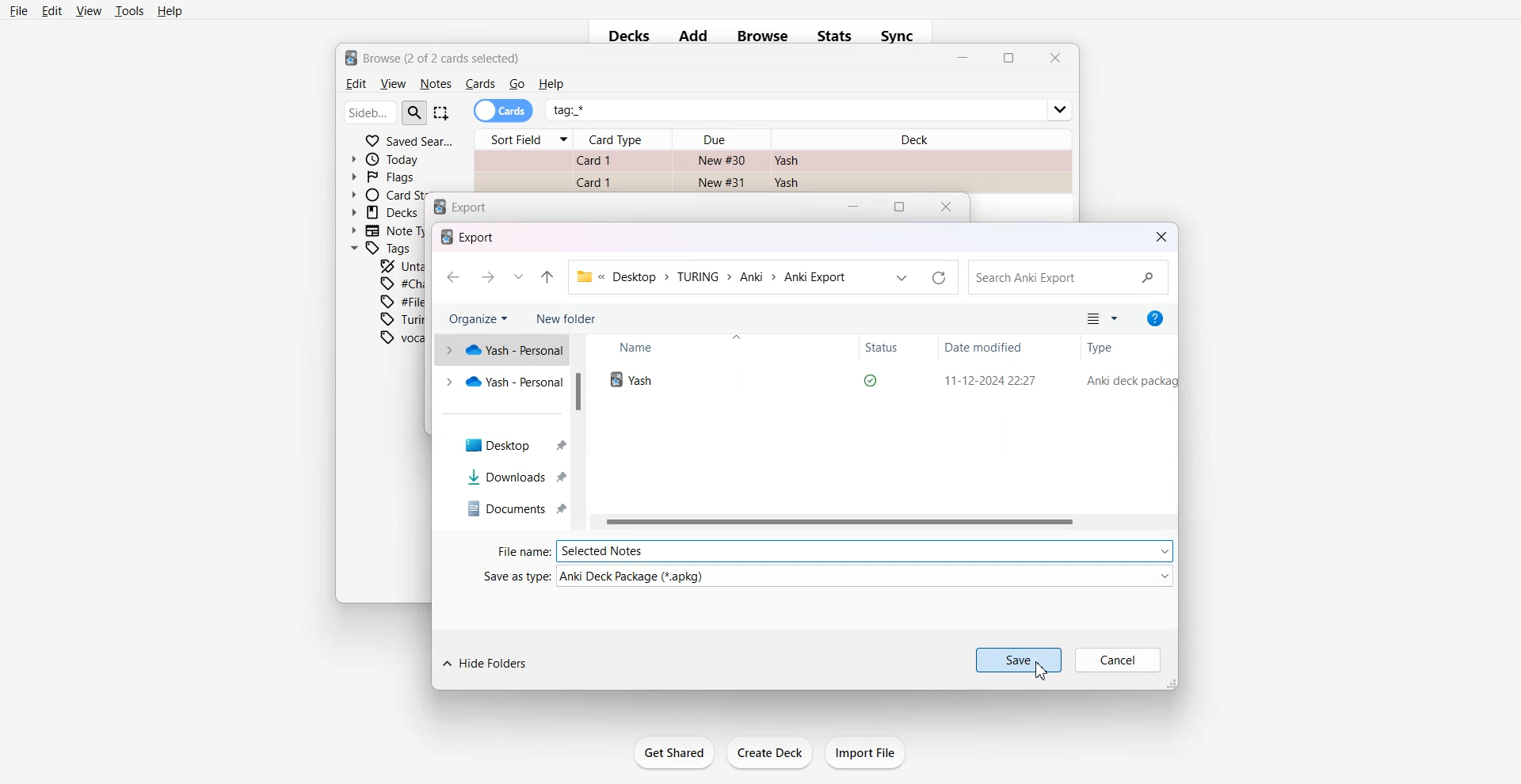  What do you see at coordinates (884, 522) in the screenshot?
I see `Horizontal scroll bar` at bounding box center [884, 522].